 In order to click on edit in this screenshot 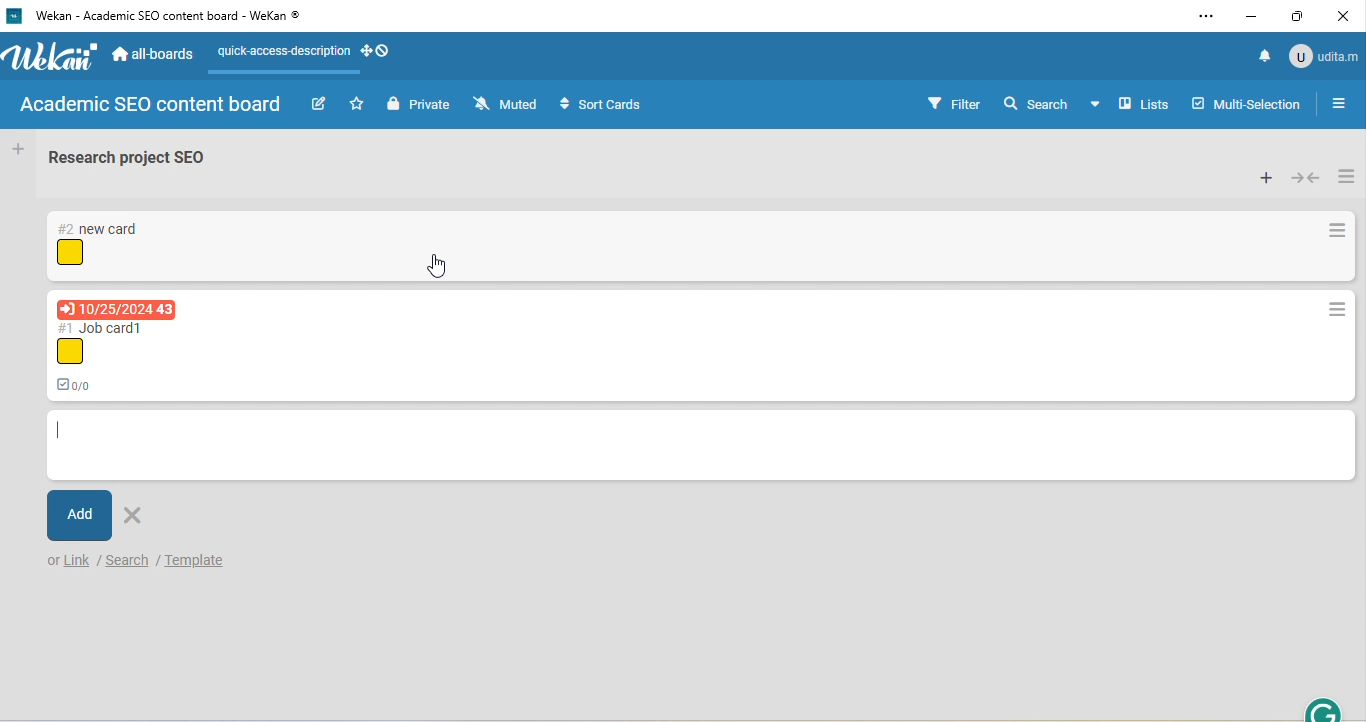, I will do `click(318, 105)`.